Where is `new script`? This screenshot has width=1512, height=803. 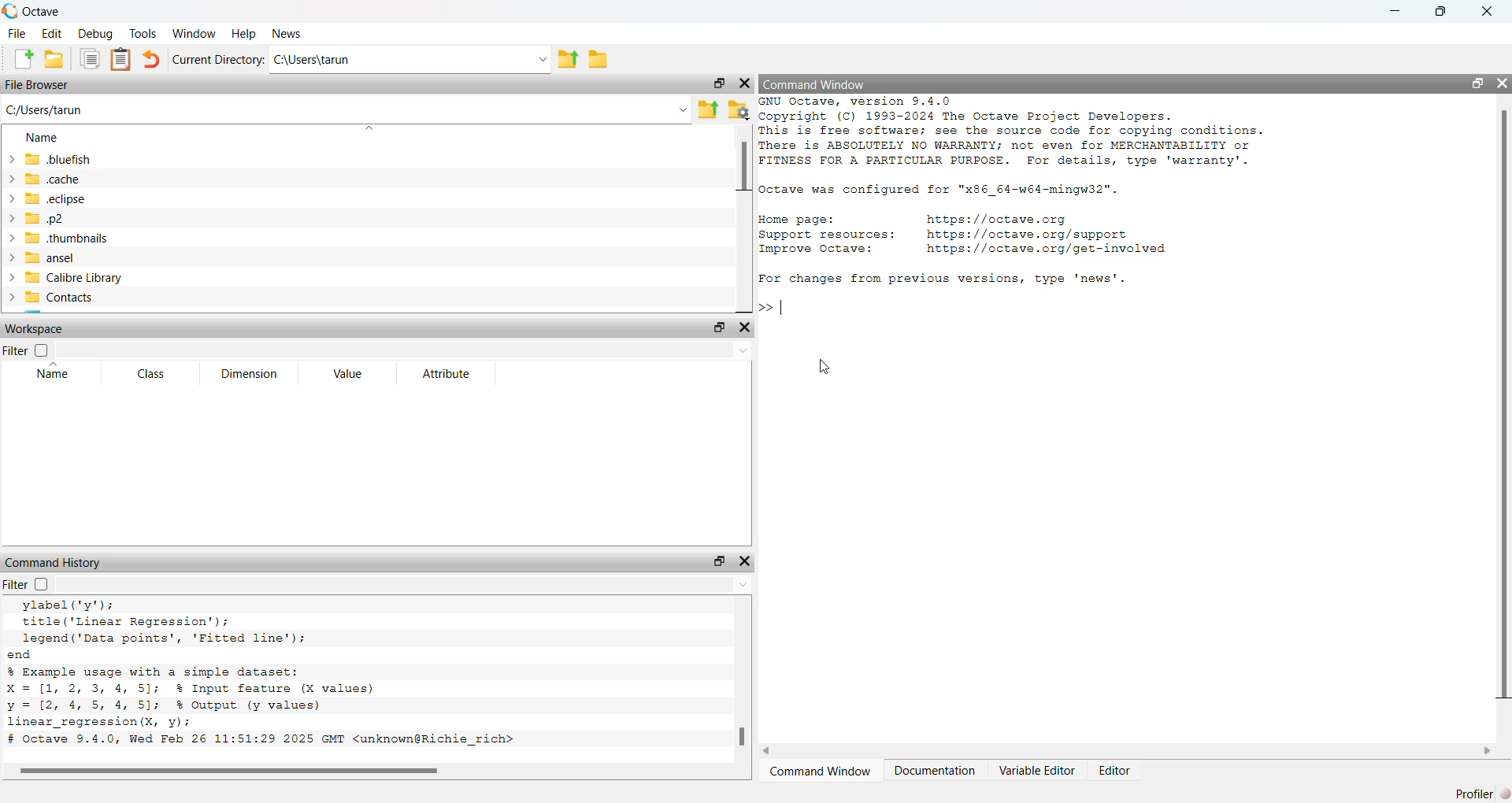 new script is located at coordinates (18, 58).